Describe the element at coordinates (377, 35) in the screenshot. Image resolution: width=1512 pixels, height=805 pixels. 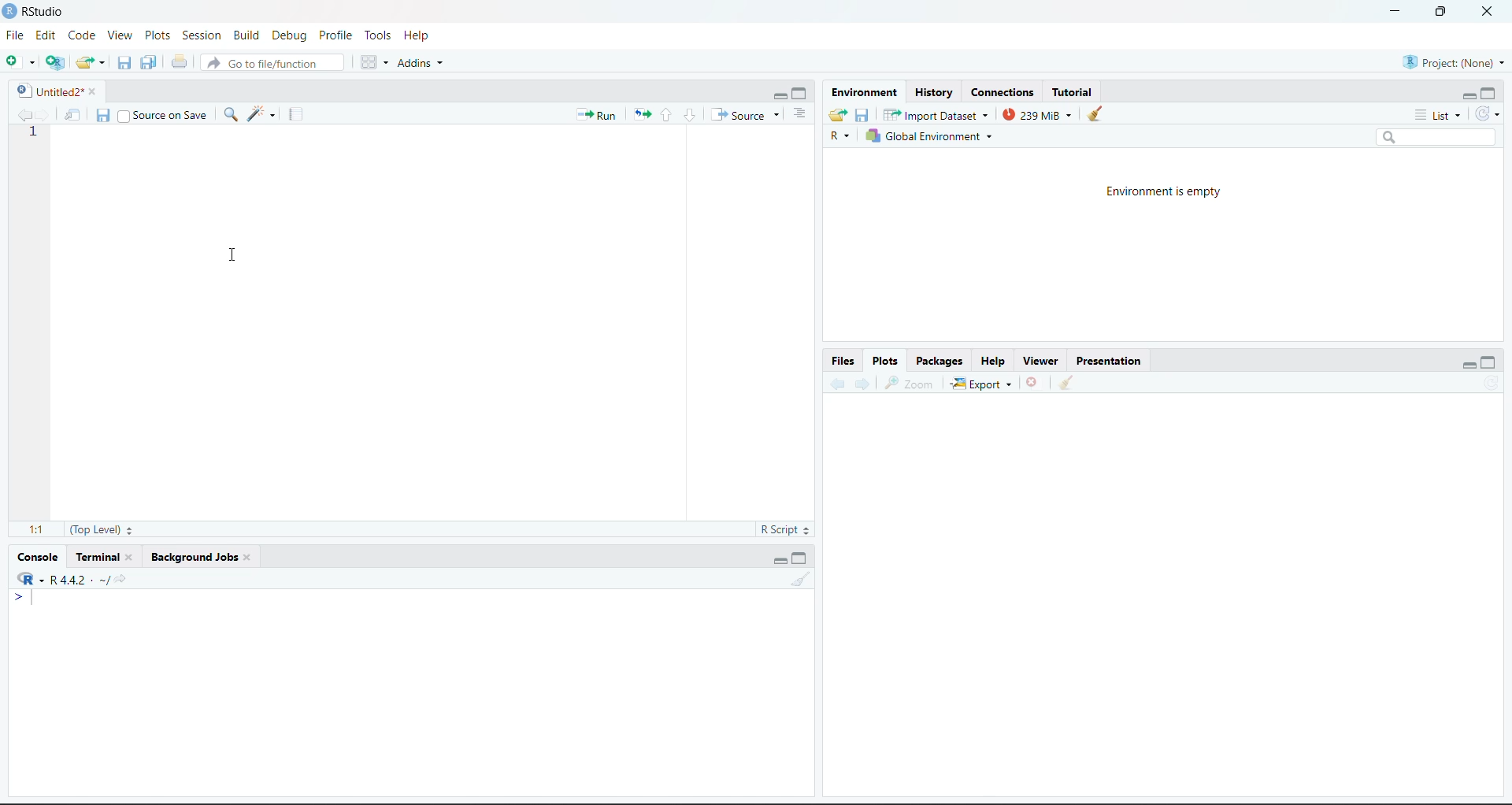
I see `Tools` at that location.